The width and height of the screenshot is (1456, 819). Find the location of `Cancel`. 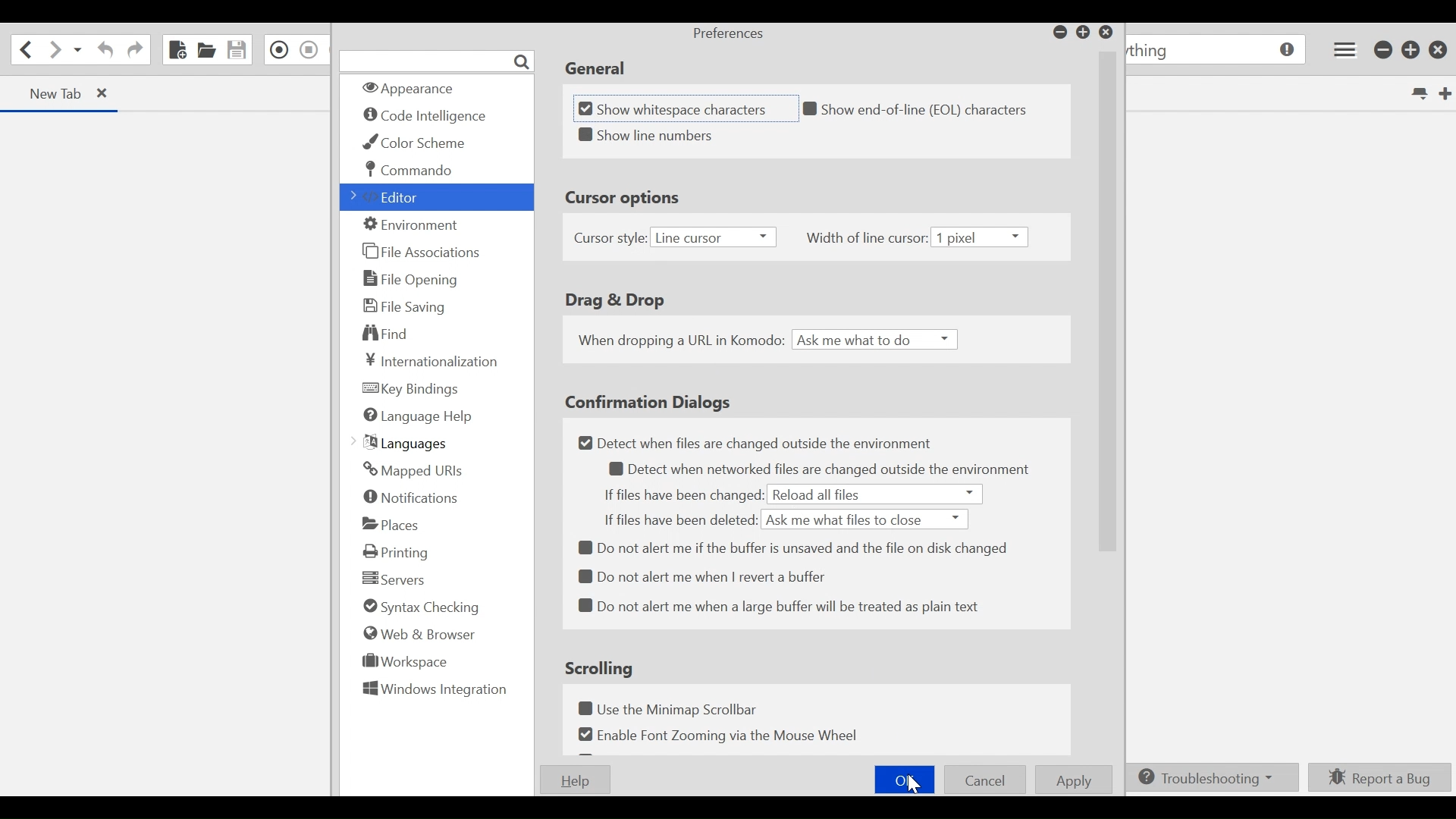

Cancel is located at coordinates (985, 780).